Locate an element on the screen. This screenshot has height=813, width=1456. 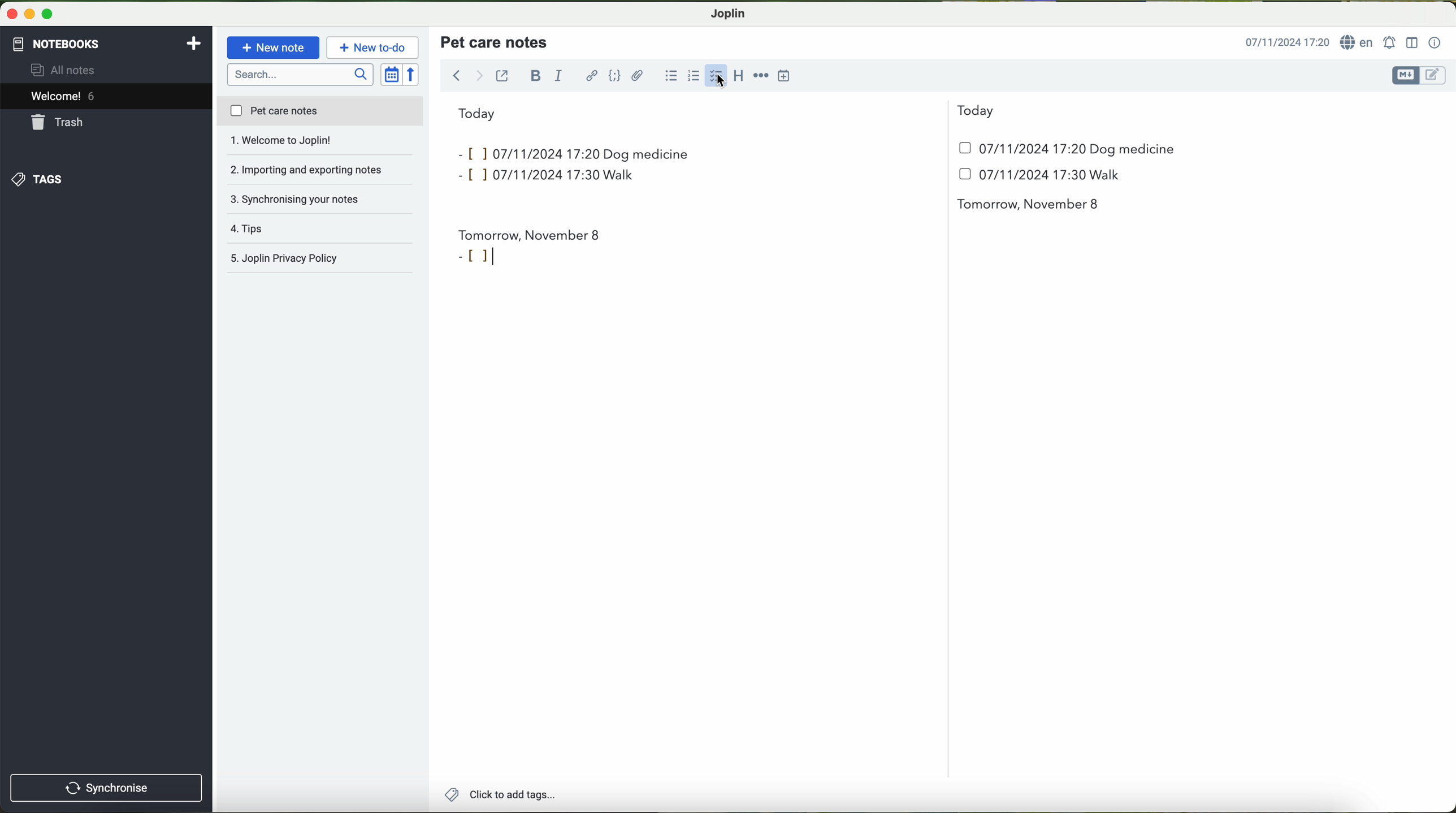
title pet care notes is located at coordinates (496, 41).